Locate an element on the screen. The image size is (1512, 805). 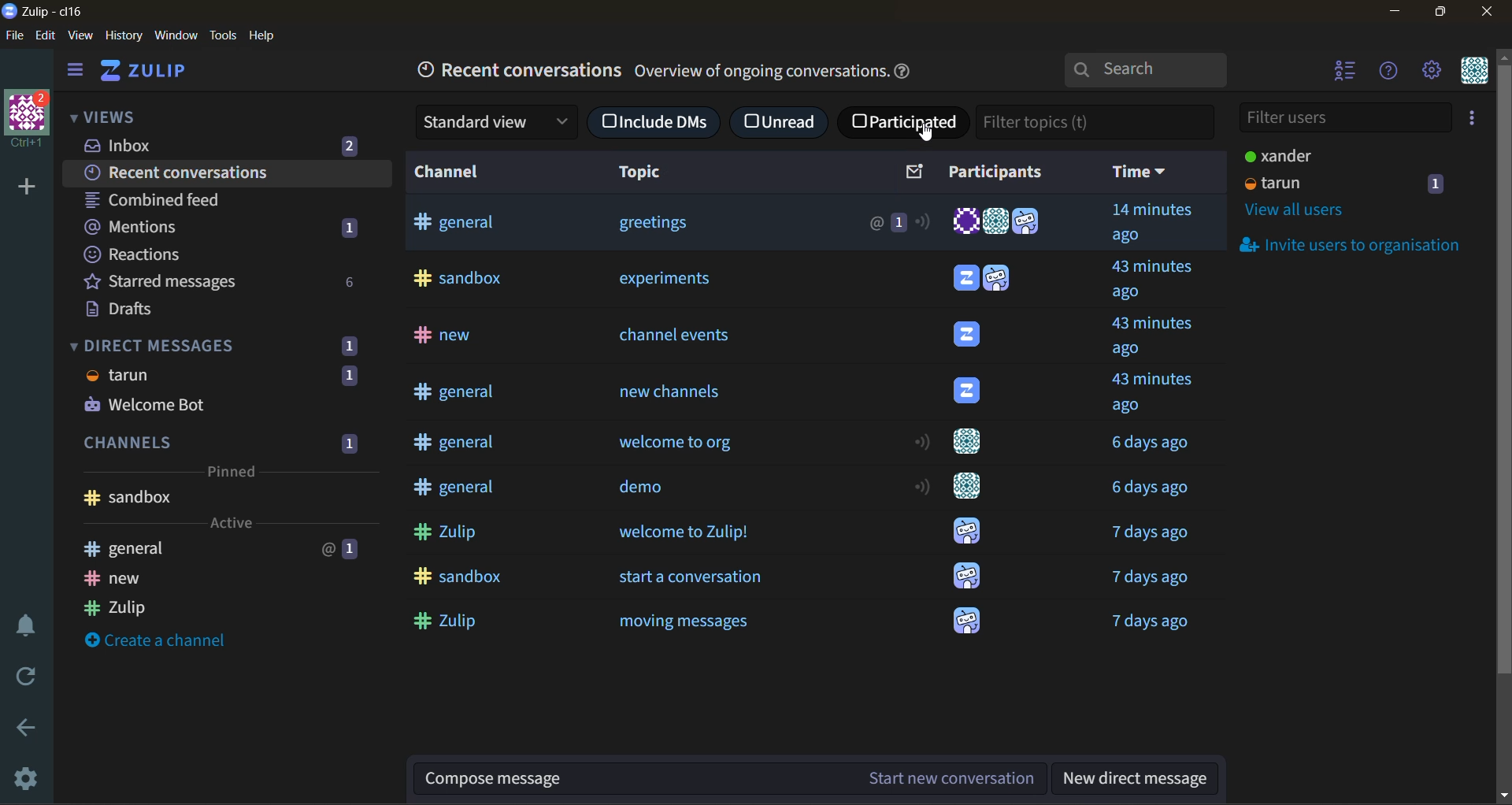
welcome to org is located at coordinates (684, 440).